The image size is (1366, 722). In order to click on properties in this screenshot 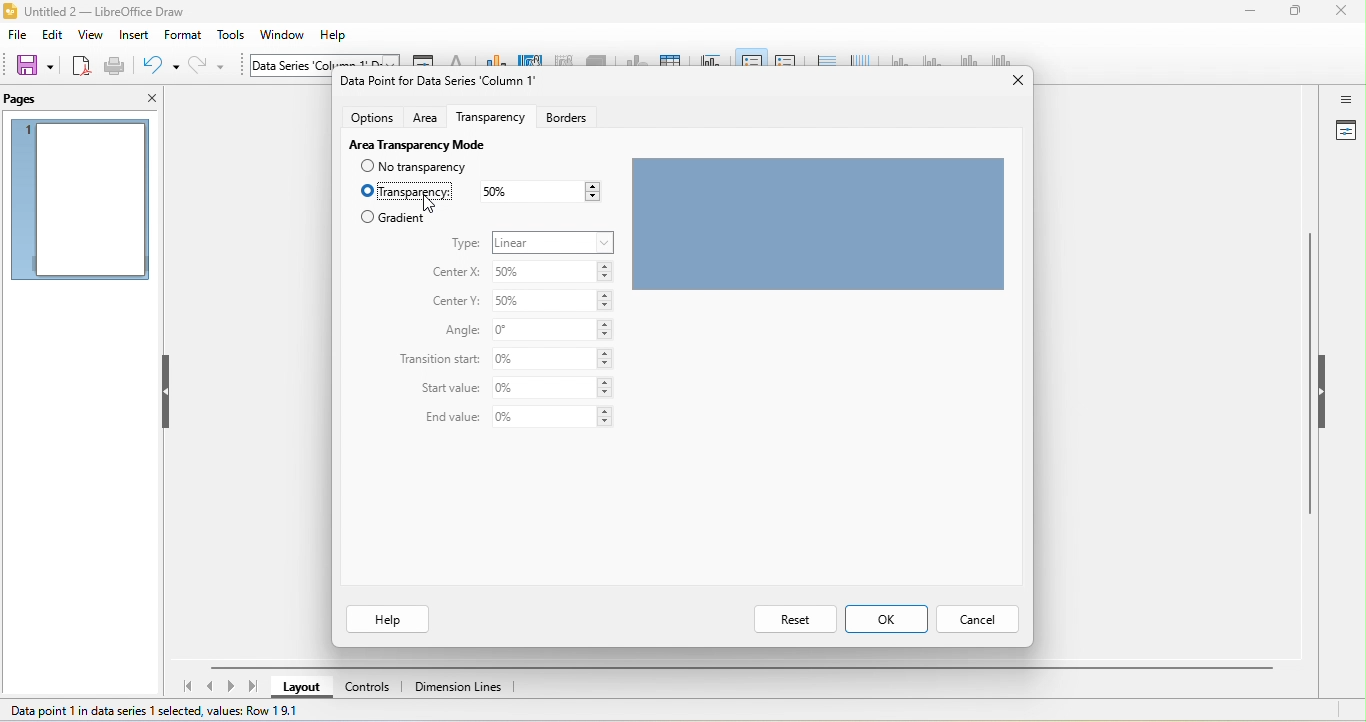, I will do `click(1345, 132)`.